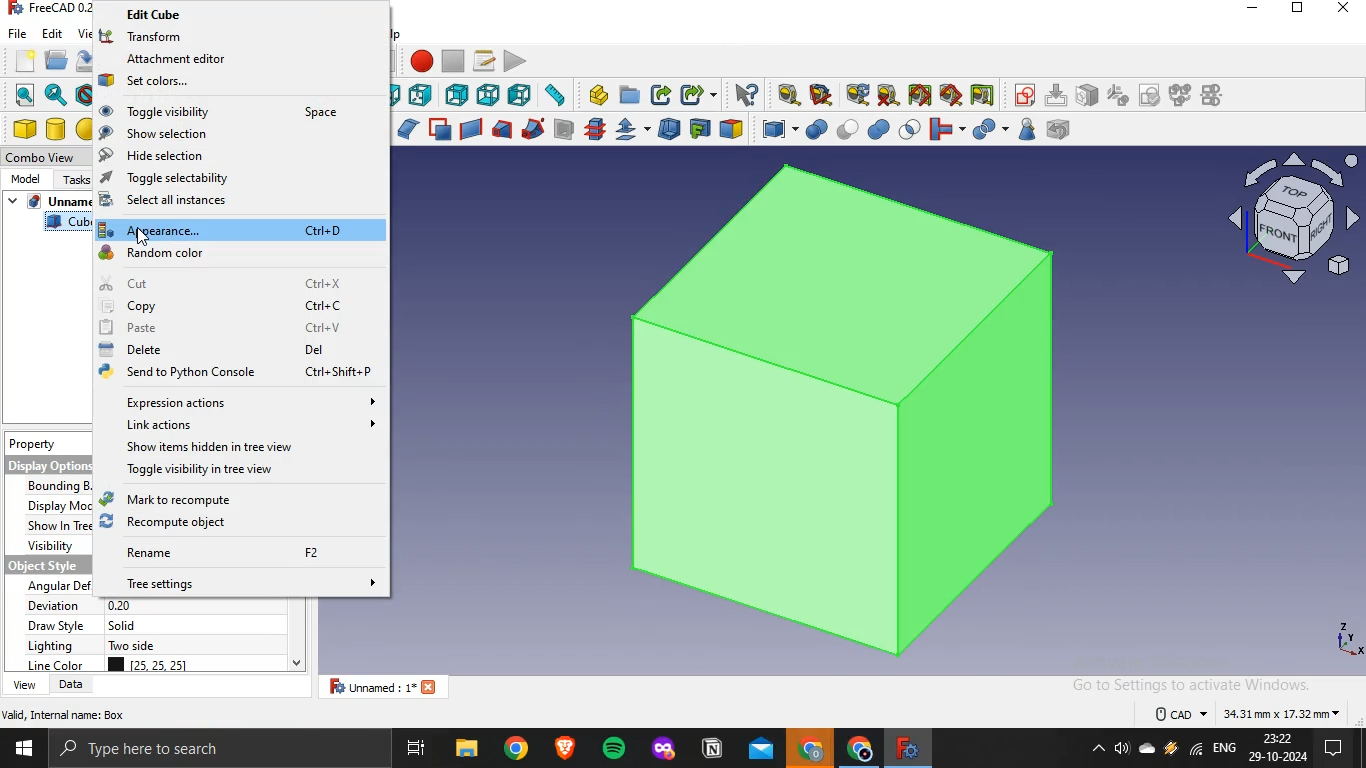 The width and height of the screenshot is (1366, 768). I want to click on compound tools, so click(771, 130).